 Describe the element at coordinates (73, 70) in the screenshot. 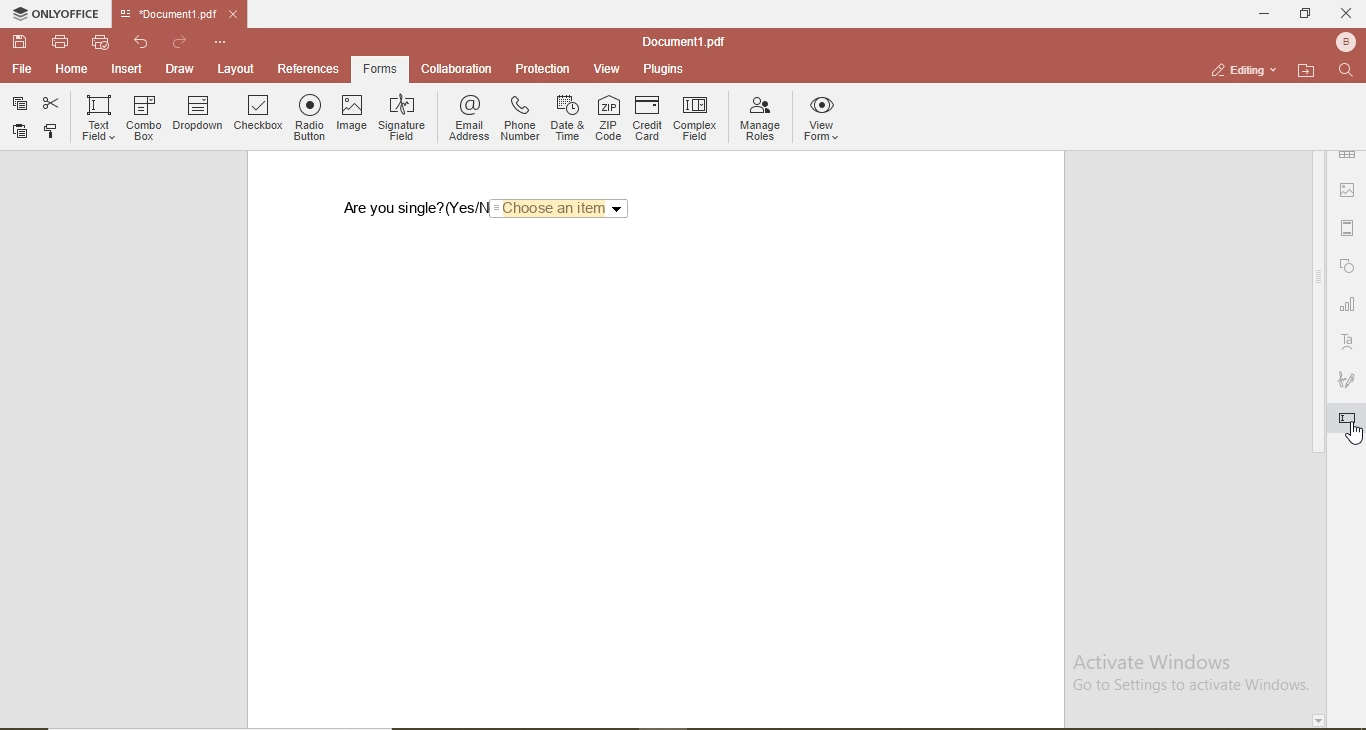

I see `home` at that location.